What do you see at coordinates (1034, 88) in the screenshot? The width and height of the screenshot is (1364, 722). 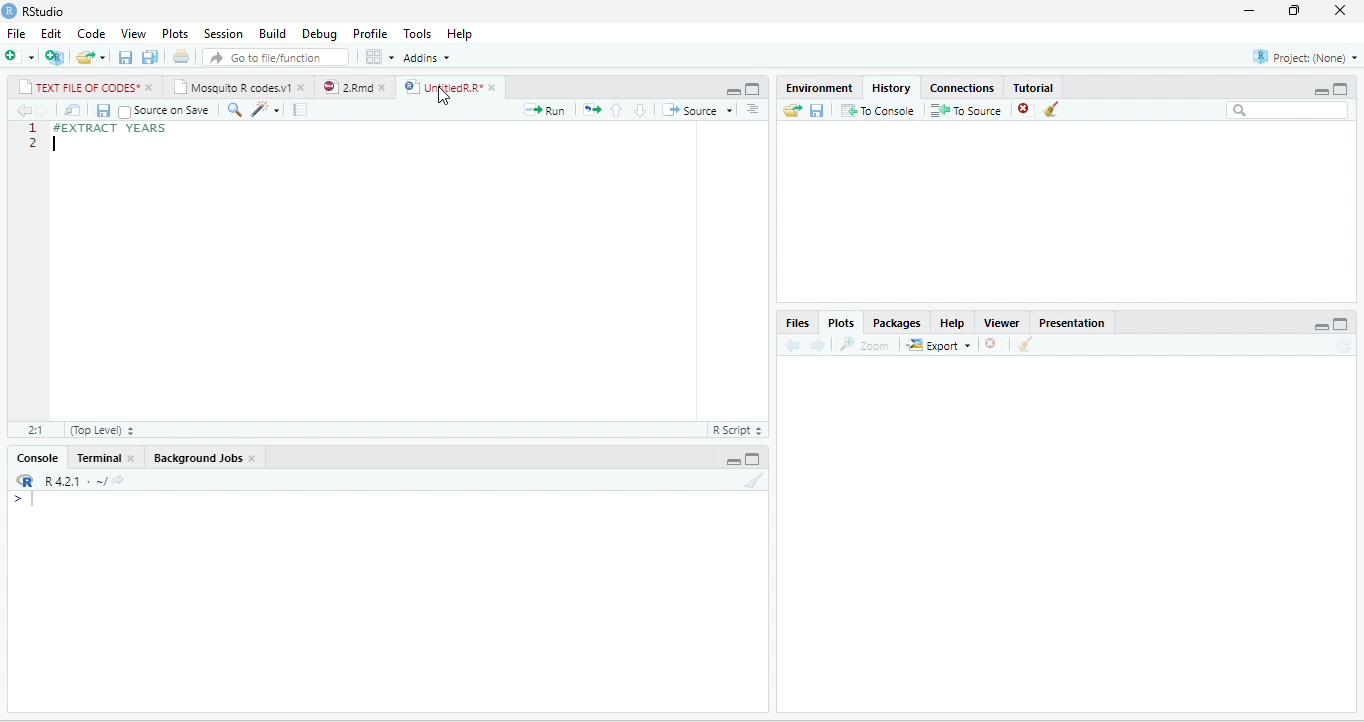 I see `Tutorial` at bounding box center [1034, 88].